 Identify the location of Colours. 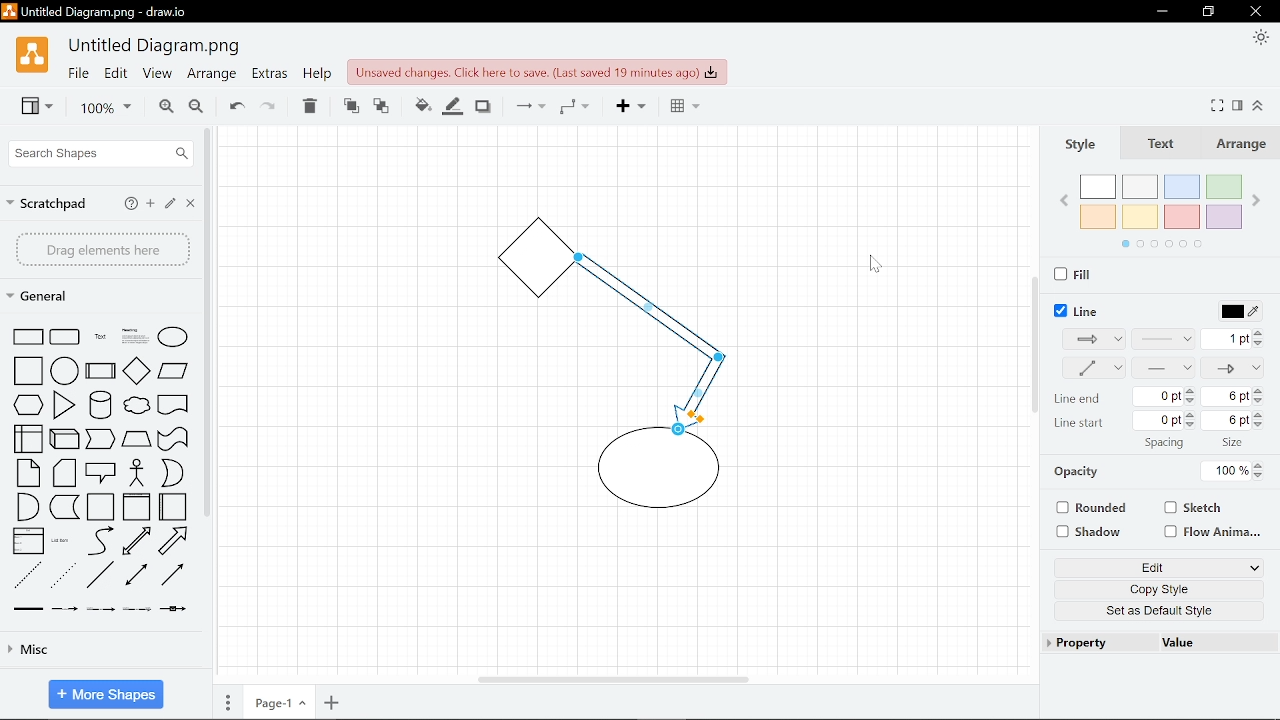
(1168, 209).